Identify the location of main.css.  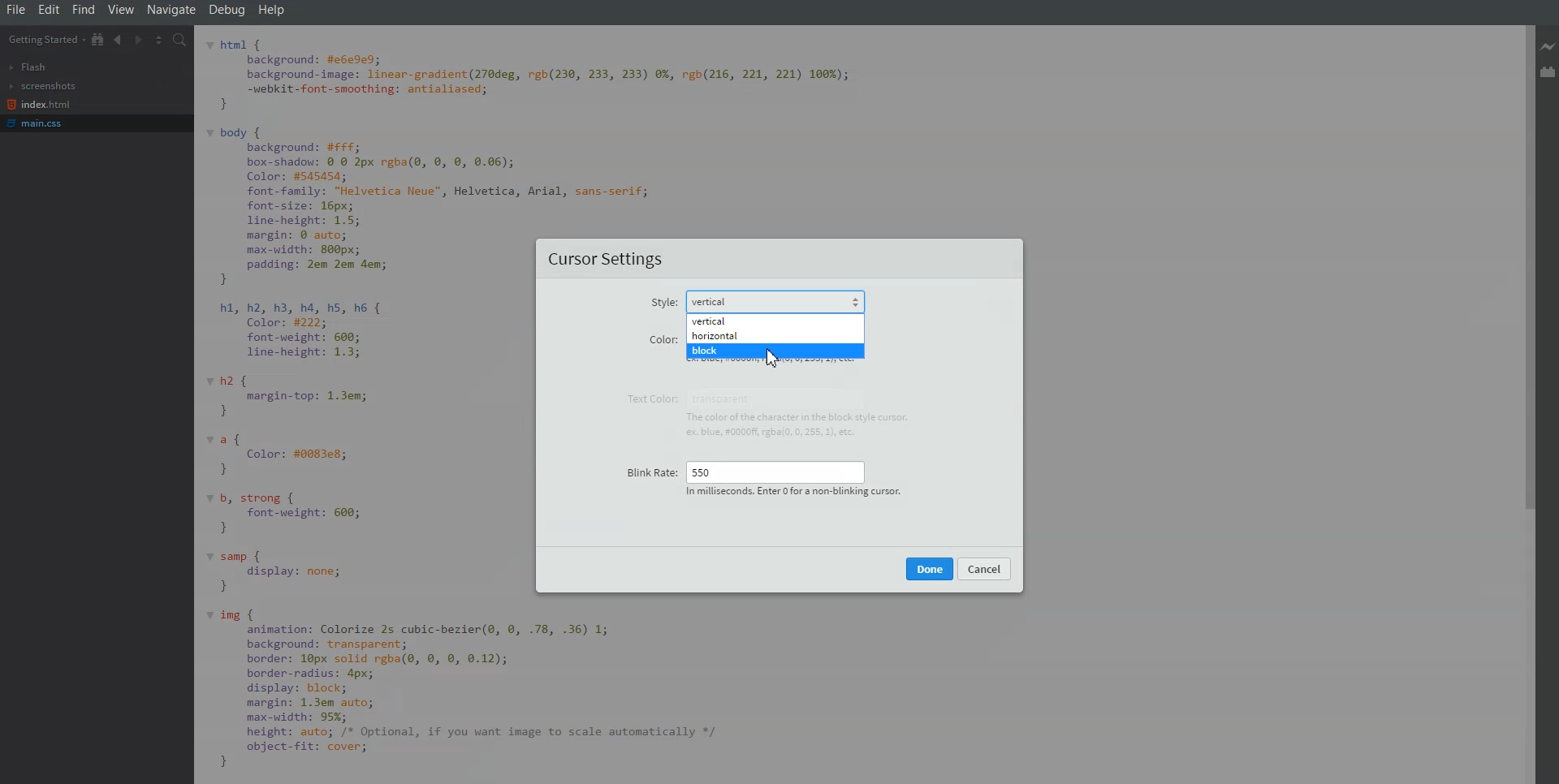
(40, 123).